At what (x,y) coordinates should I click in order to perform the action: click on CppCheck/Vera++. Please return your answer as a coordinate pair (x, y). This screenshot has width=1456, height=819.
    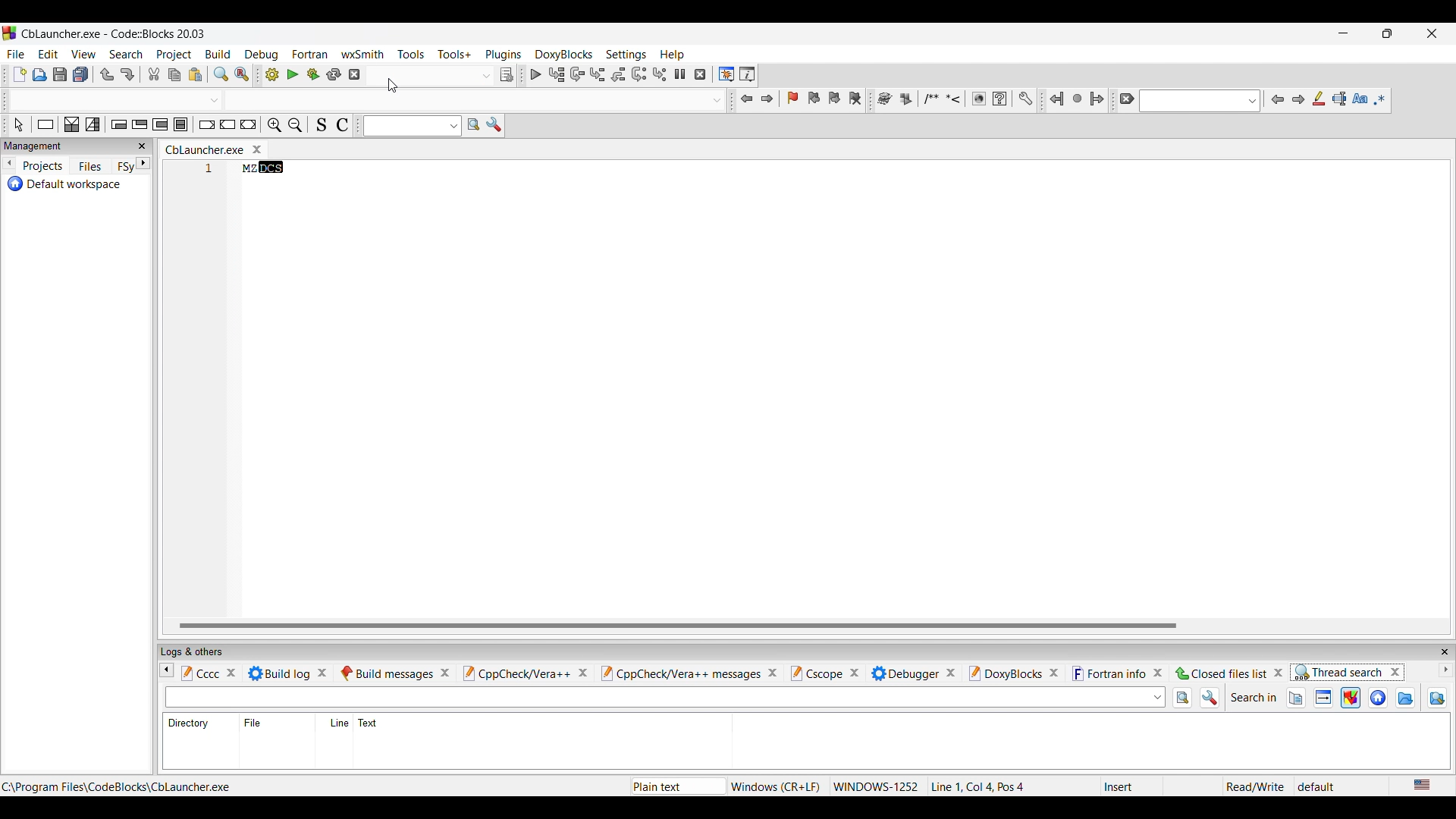
    Looking at the image, I should click on (519, 673).